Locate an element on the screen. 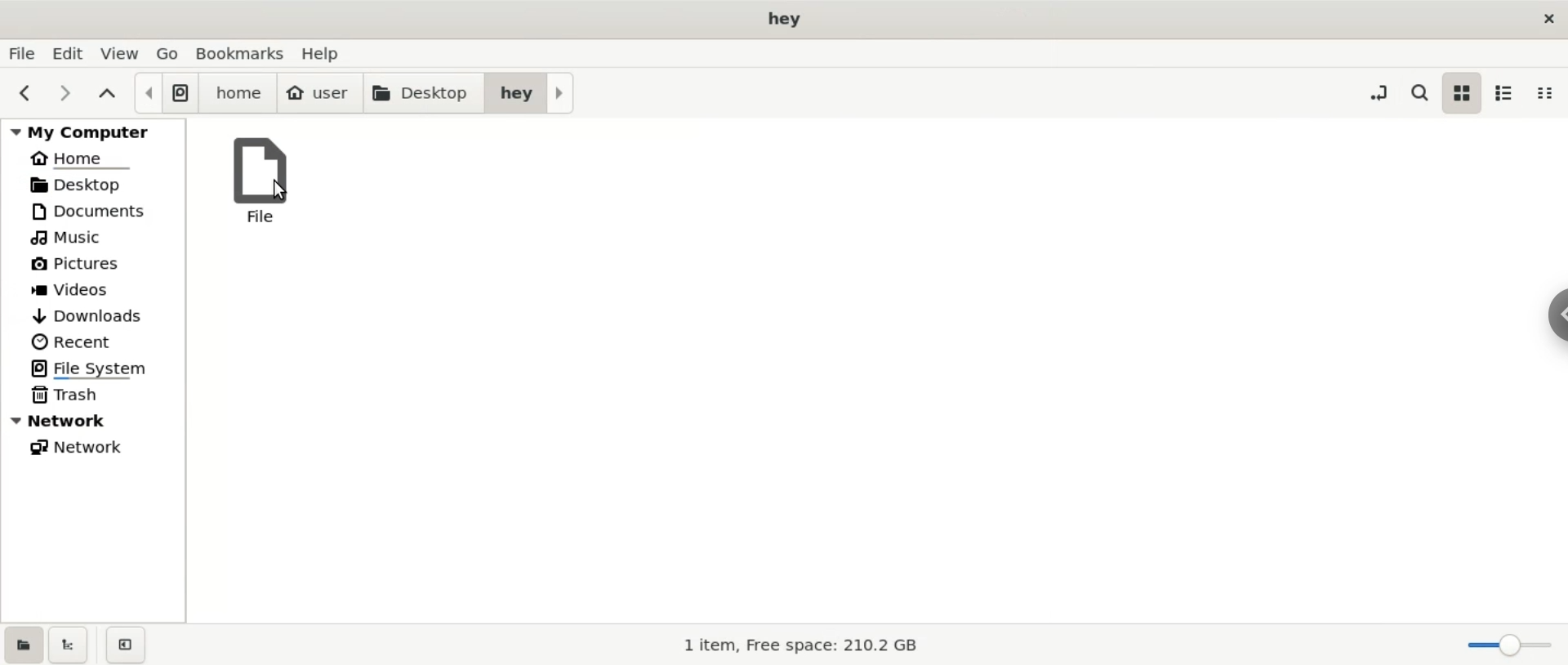 This screenshot has width=1568, height=665. storage is located at coordinates (787, 644).